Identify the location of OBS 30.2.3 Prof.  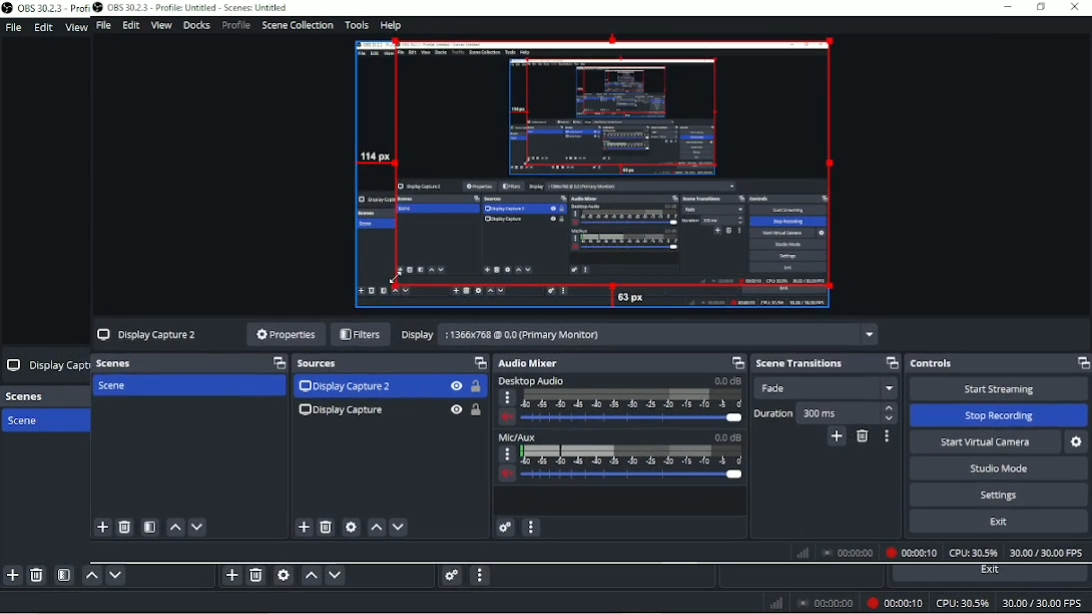
(45, 9).